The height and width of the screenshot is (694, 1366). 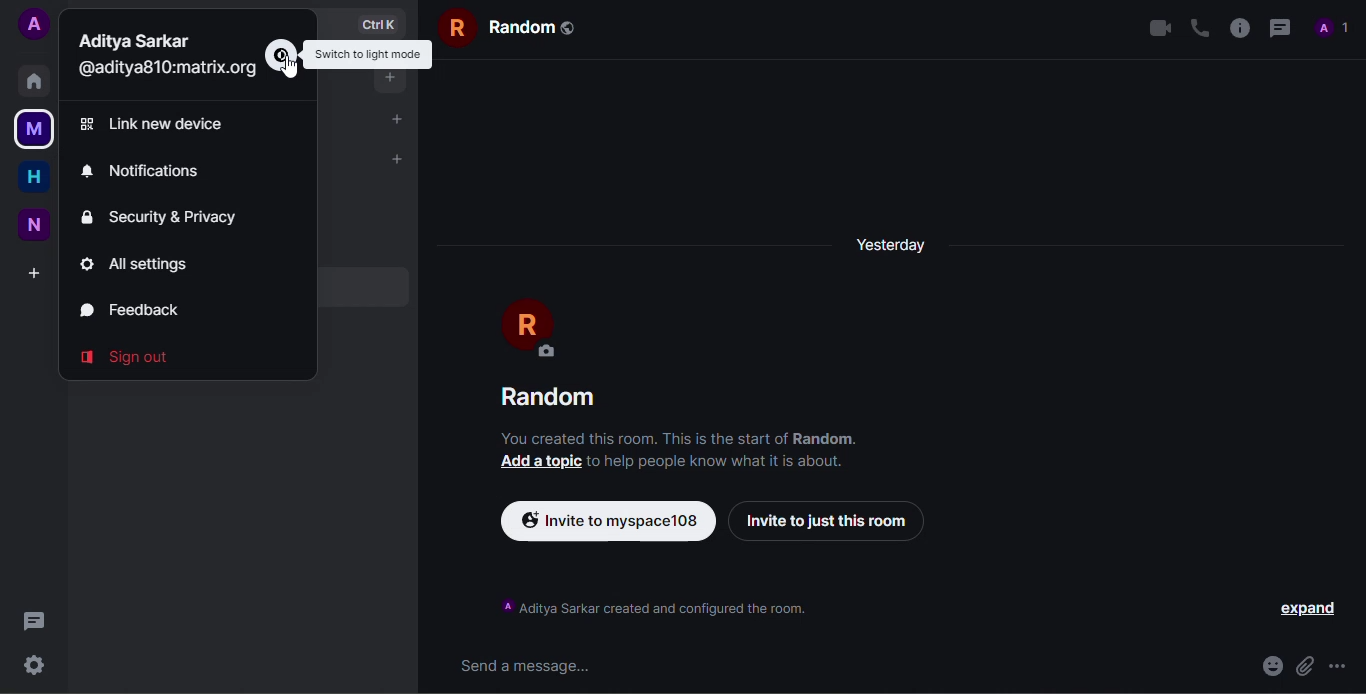 What do you see at coordinates (1347, 663) in the screenshot?
I see `more` at bounding box center [1347, 663].